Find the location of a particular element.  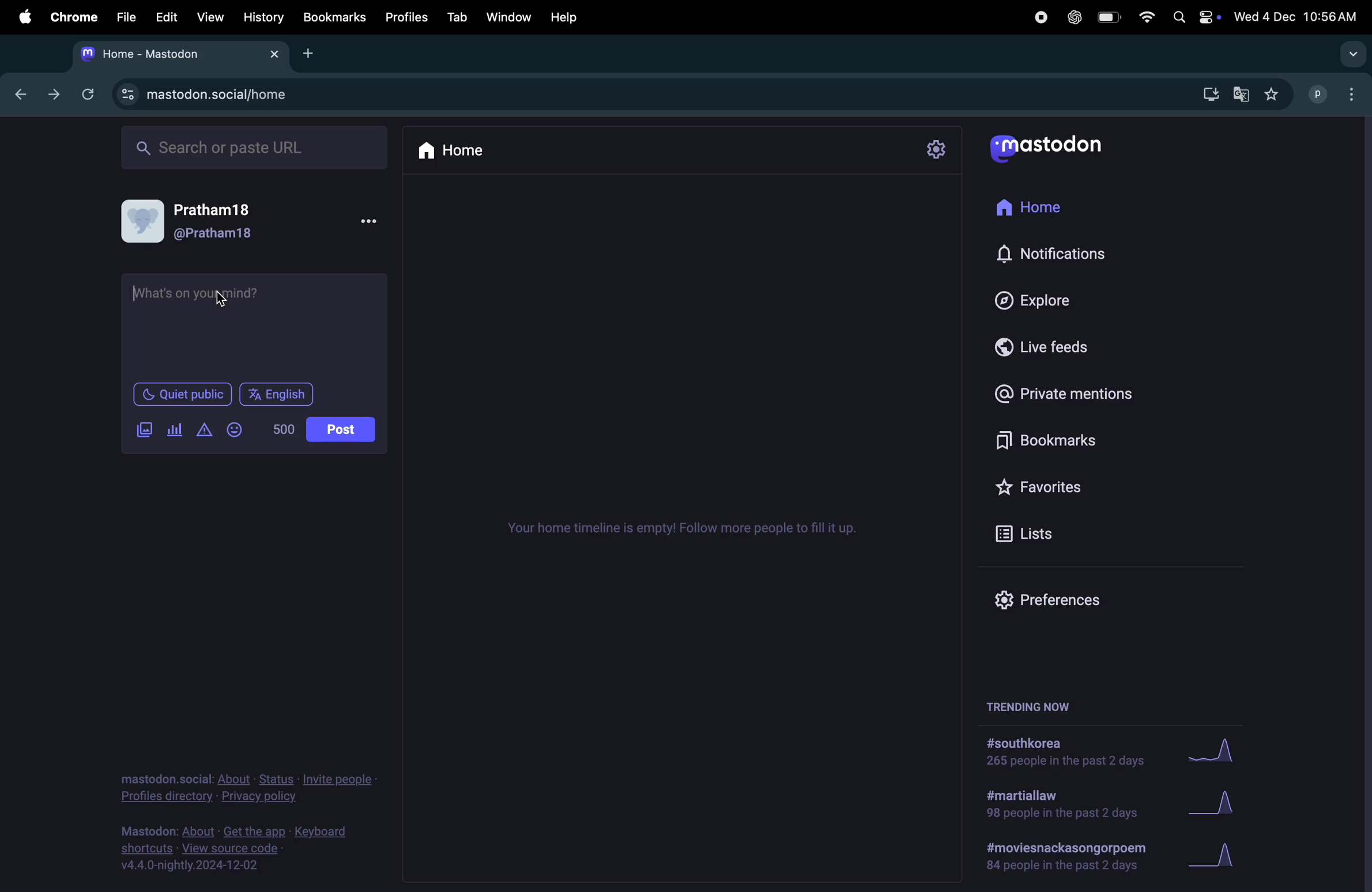

Graph is located at coordinates (1222, 750).